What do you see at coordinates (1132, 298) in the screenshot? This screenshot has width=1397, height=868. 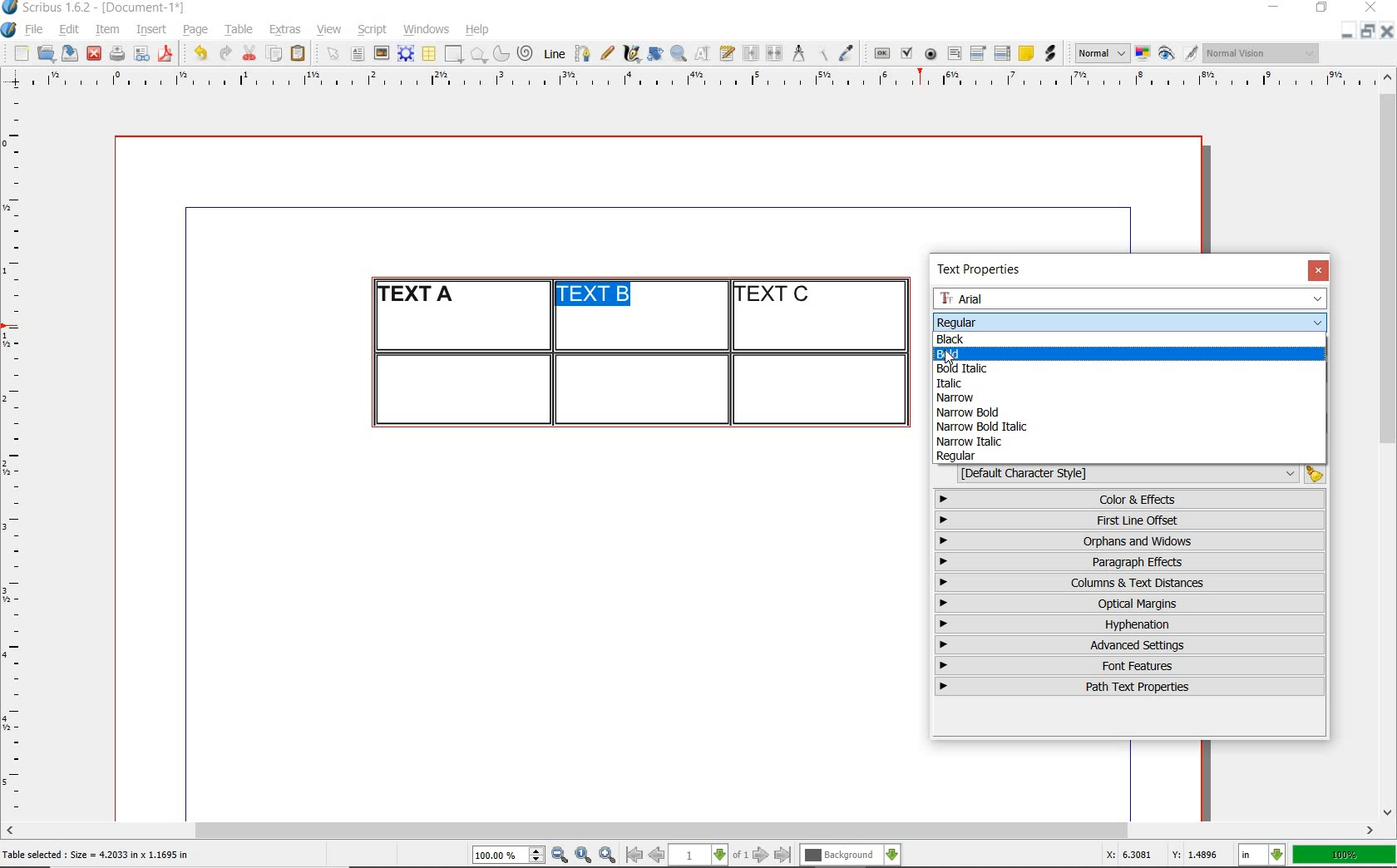 I see `font family` at bounding box center [1132, 298].